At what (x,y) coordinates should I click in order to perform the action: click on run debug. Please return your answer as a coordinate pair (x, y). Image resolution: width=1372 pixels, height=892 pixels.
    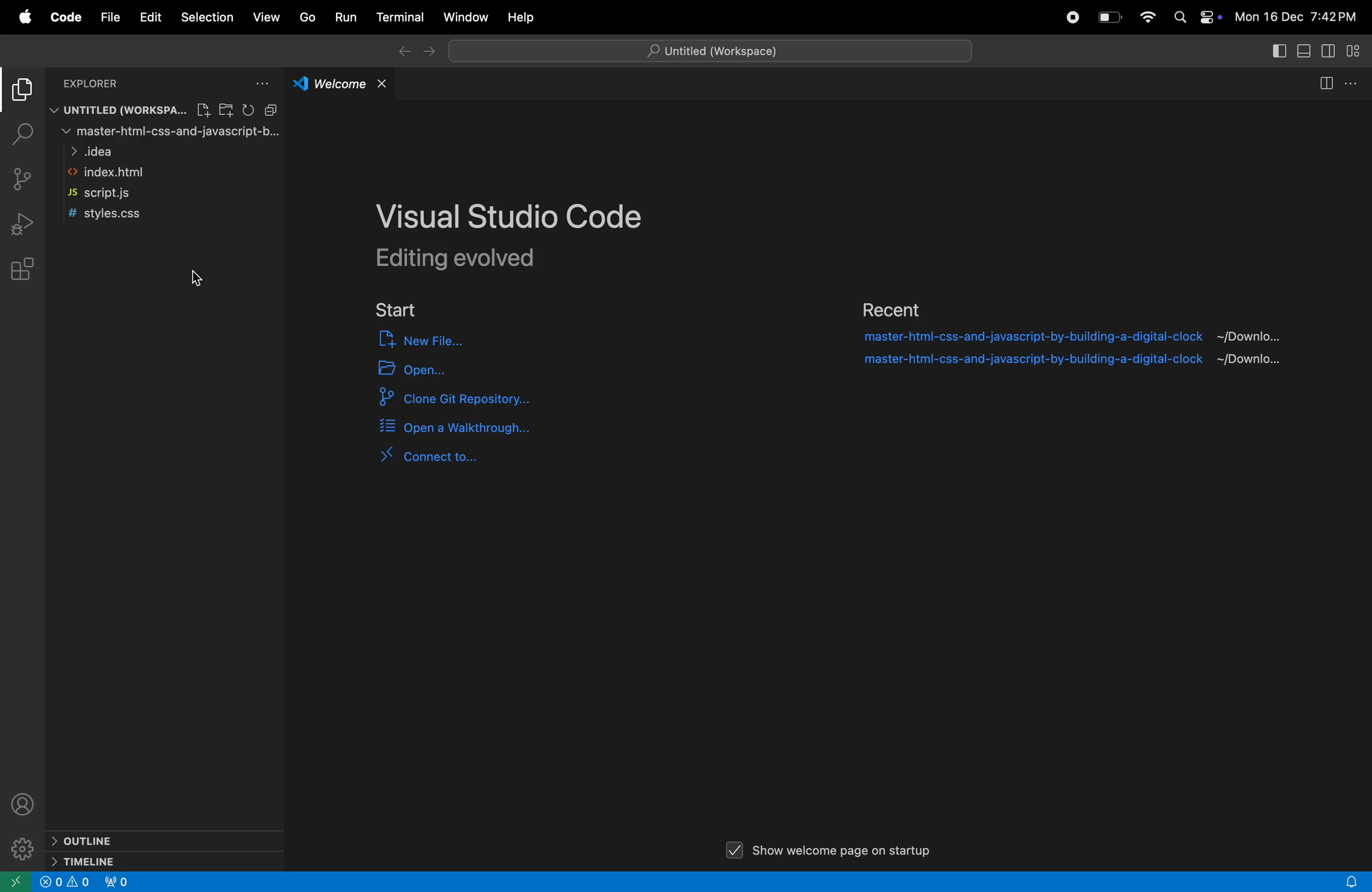
    Looking at the image, I should click on (21, 222).